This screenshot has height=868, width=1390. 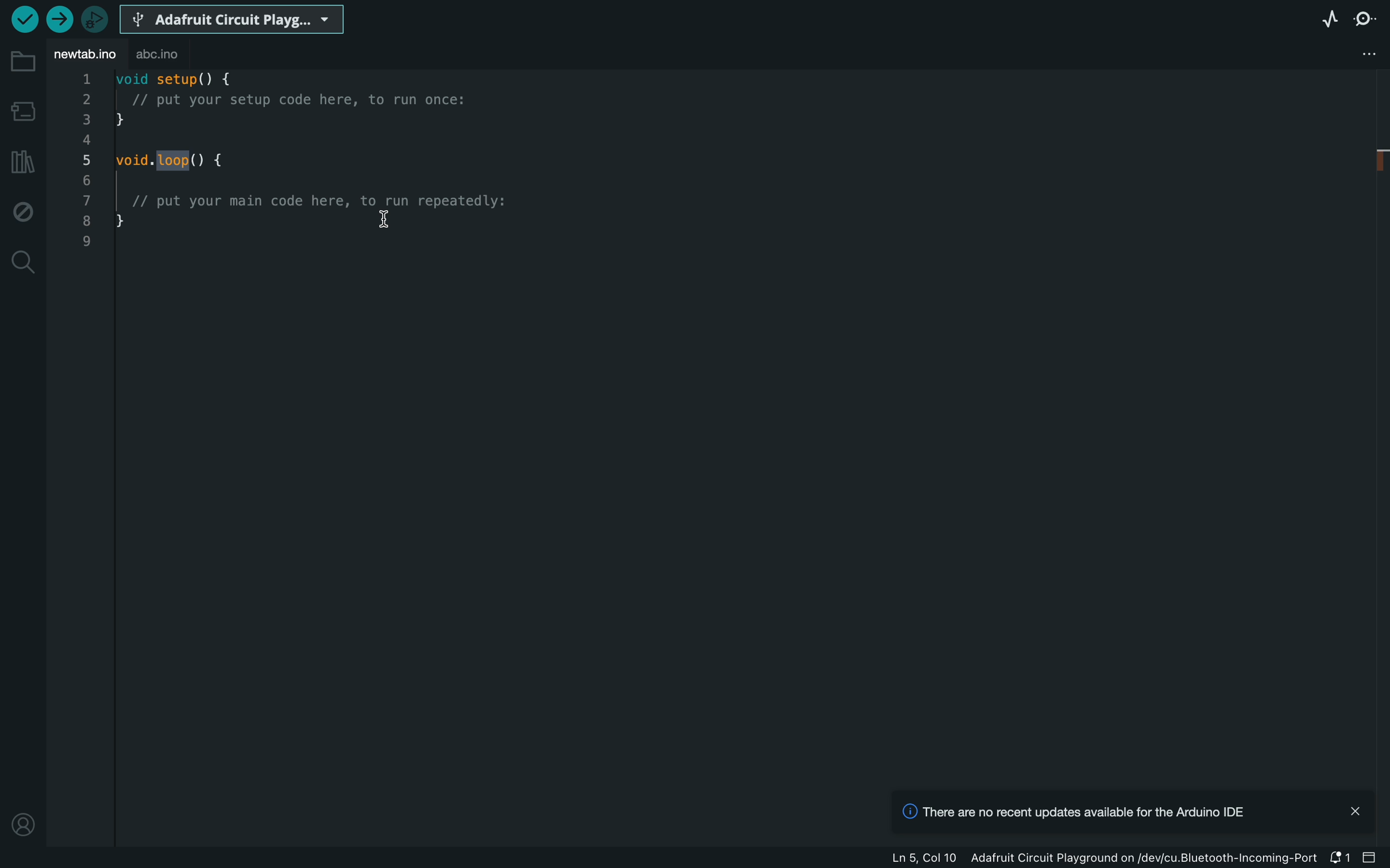 What do you see at coordinates (1356, 810) in the screenshot?
I see `close` at bounding box center [1356, 810].